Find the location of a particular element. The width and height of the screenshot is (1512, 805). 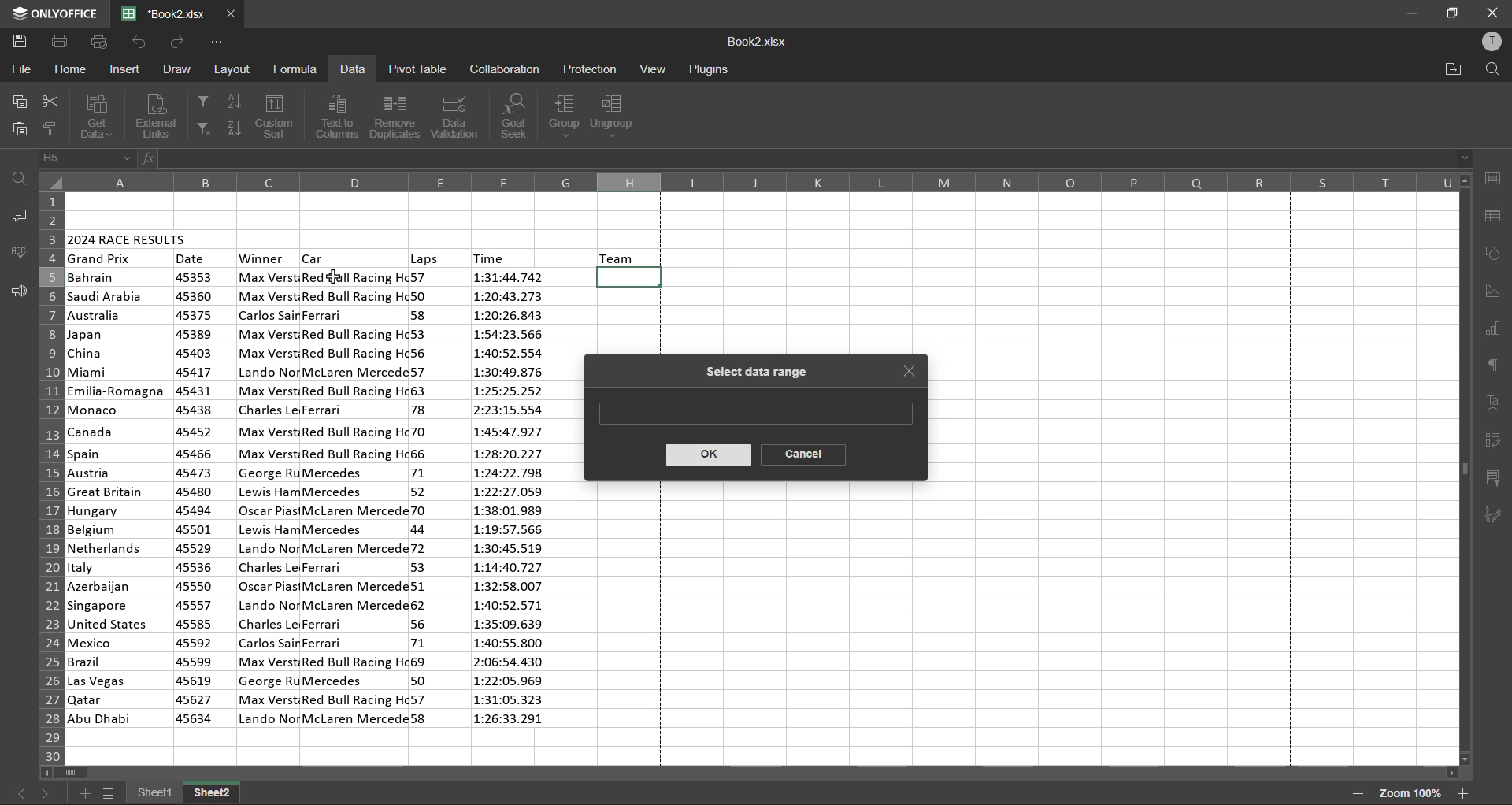

cell address is located at coordinates (87, 158).